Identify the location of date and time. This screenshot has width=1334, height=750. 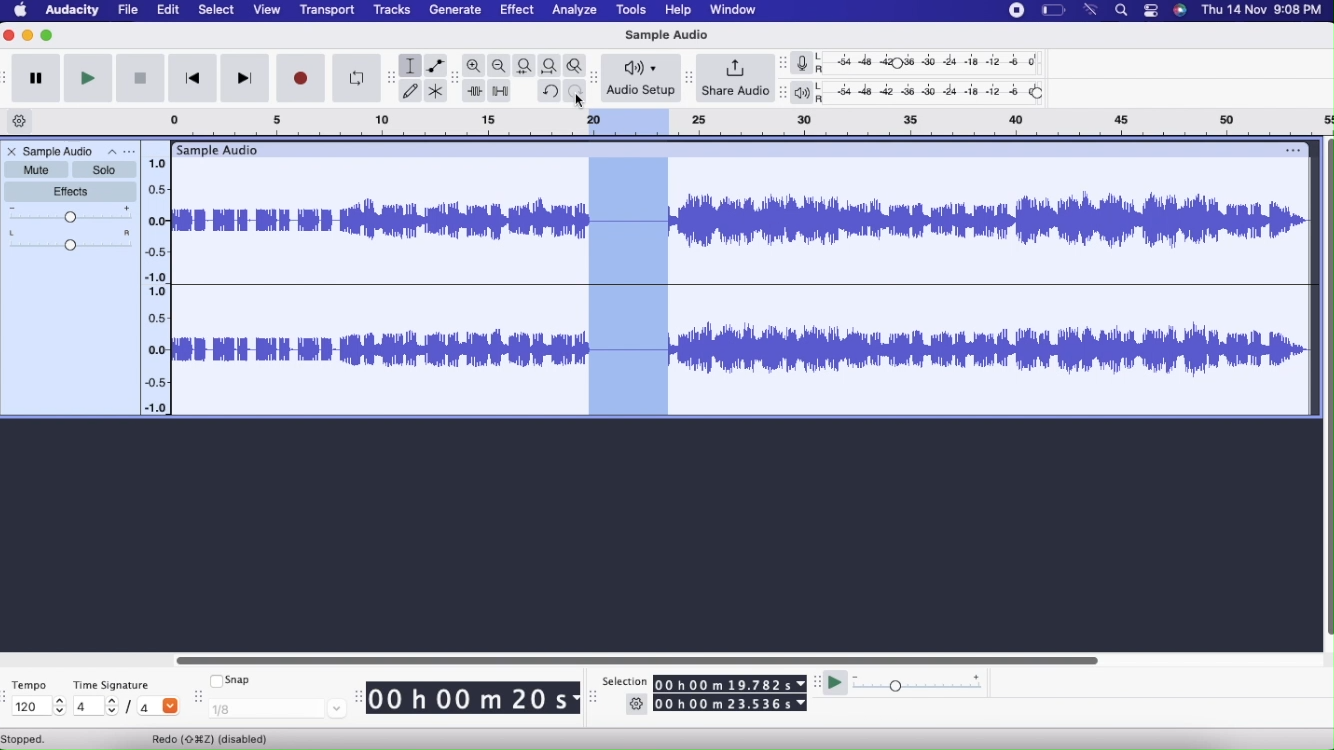
(1262, 9).